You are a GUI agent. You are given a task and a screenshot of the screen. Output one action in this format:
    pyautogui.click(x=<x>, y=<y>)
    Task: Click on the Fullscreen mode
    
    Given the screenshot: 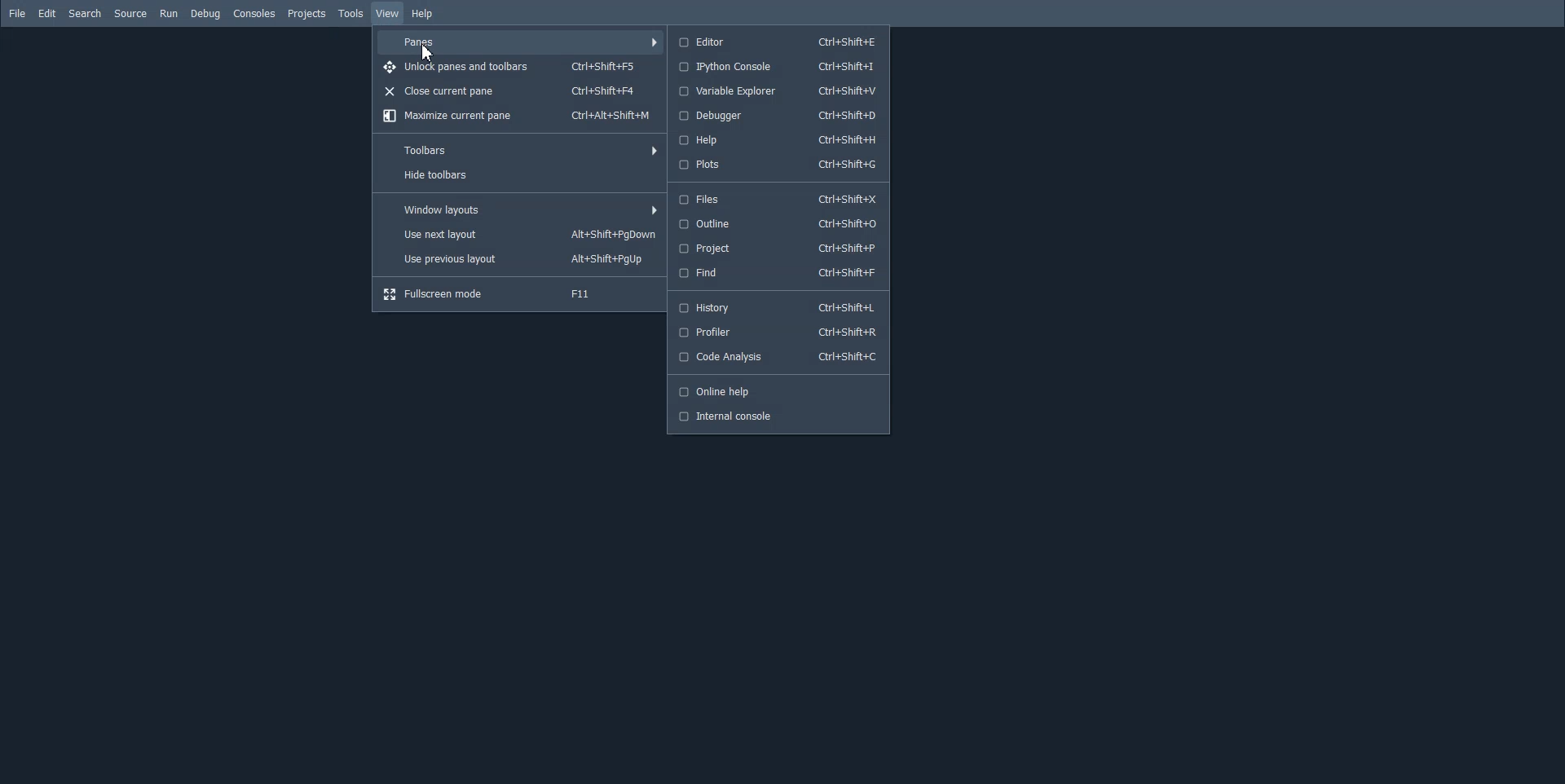 What is the action you would take?
    pyautogui.click(x=518, y=294)
    